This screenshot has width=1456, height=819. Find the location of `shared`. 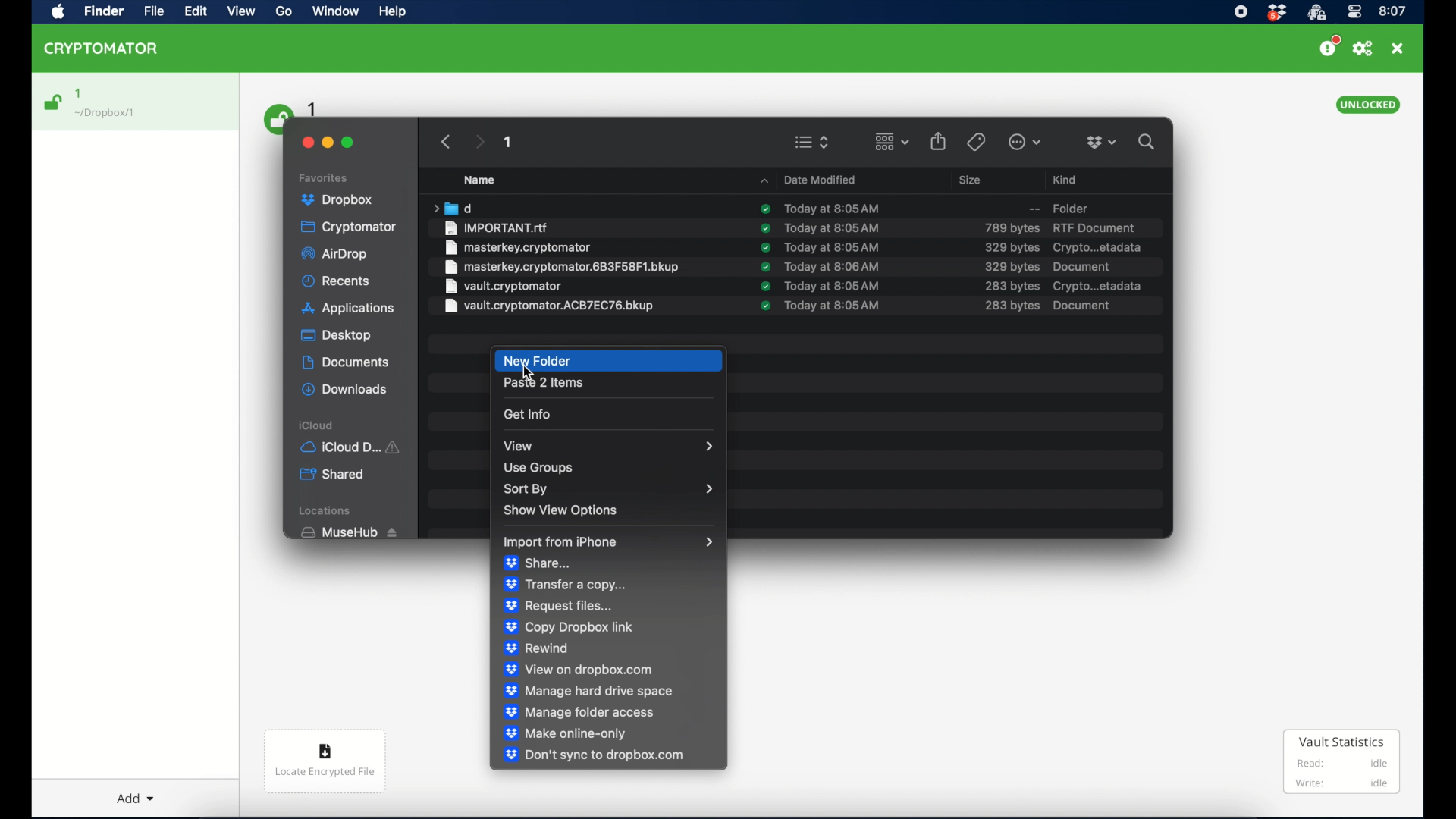

shared is located at coordinates (334, 475).